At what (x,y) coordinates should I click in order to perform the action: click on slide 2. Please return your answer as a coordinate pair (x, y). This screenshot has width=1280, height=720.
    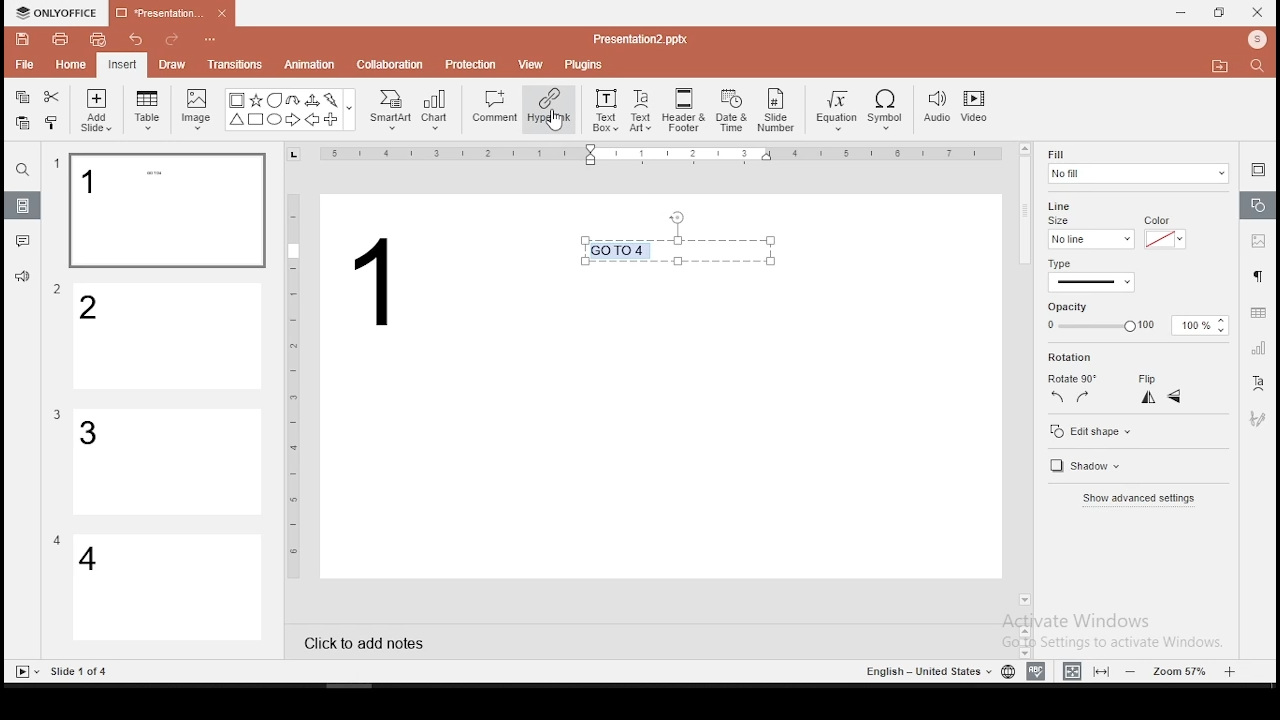
    Looking at the image, I should click on (169, 337).